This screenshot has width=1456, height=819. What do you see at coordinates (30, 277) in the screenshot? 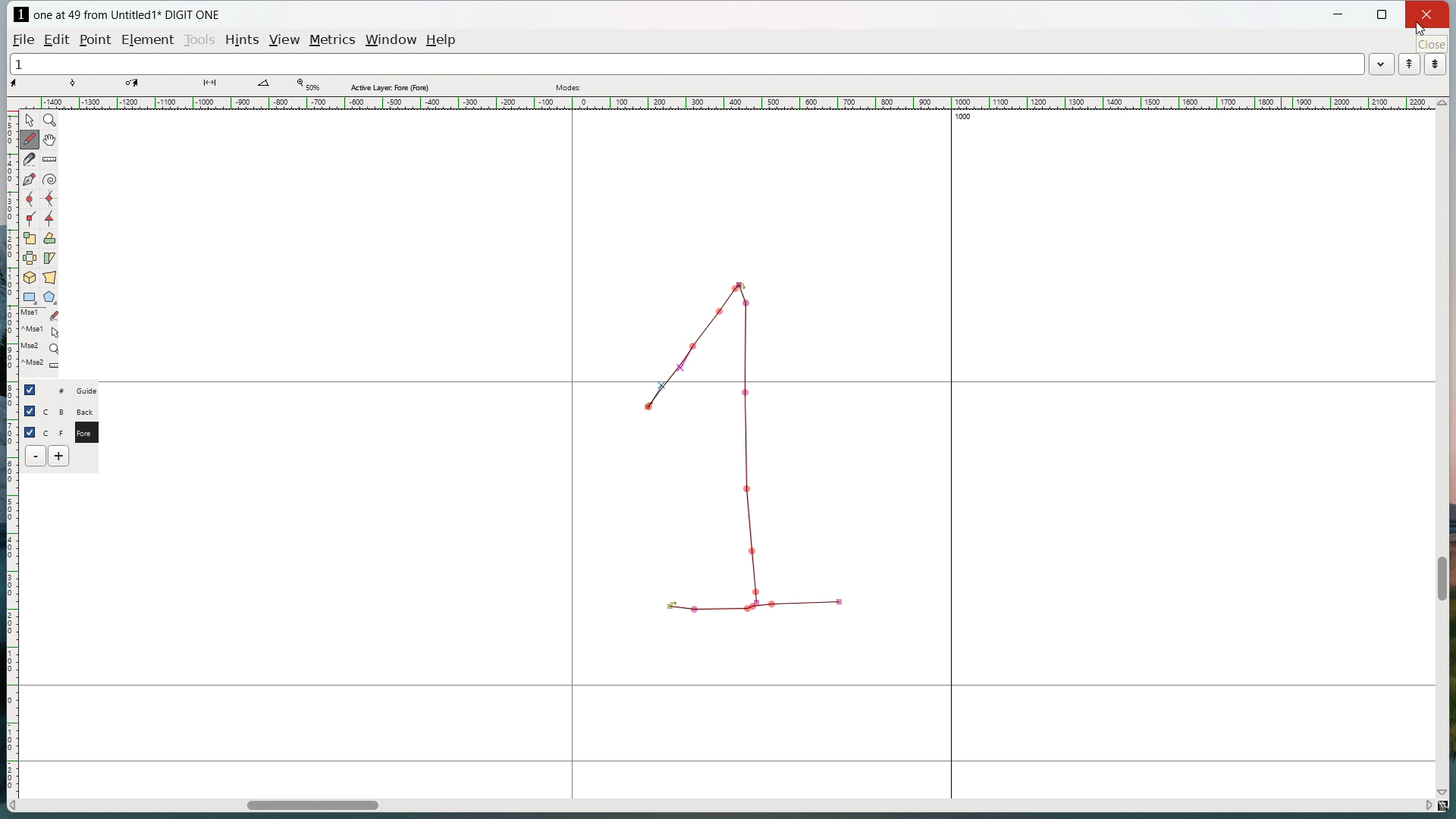
I see `rotate selection in 3d and project back to the place` at bounding box center [30, 277].